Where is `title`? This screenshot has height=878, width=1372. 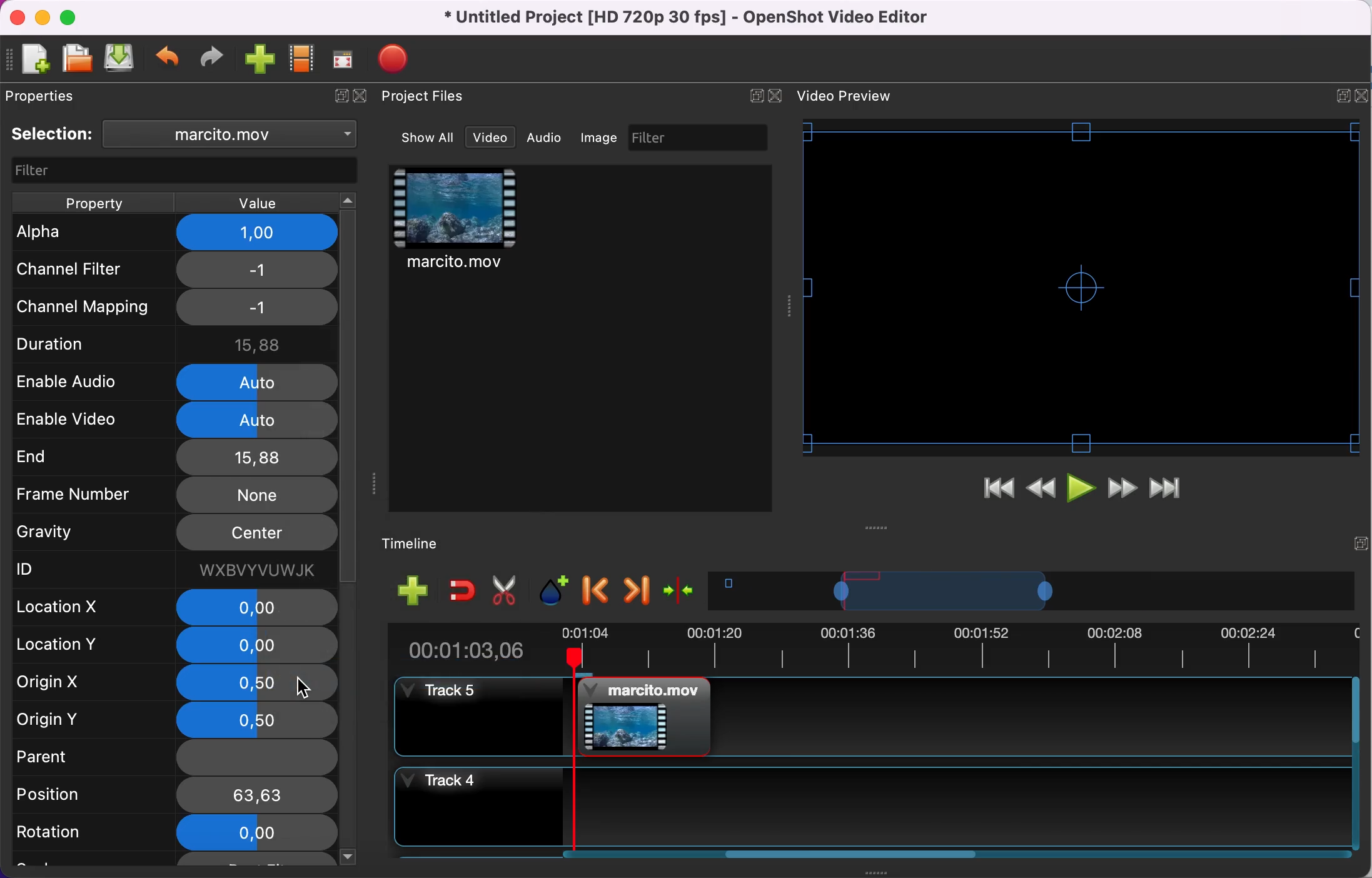
title is located at coordinates (690, 18).